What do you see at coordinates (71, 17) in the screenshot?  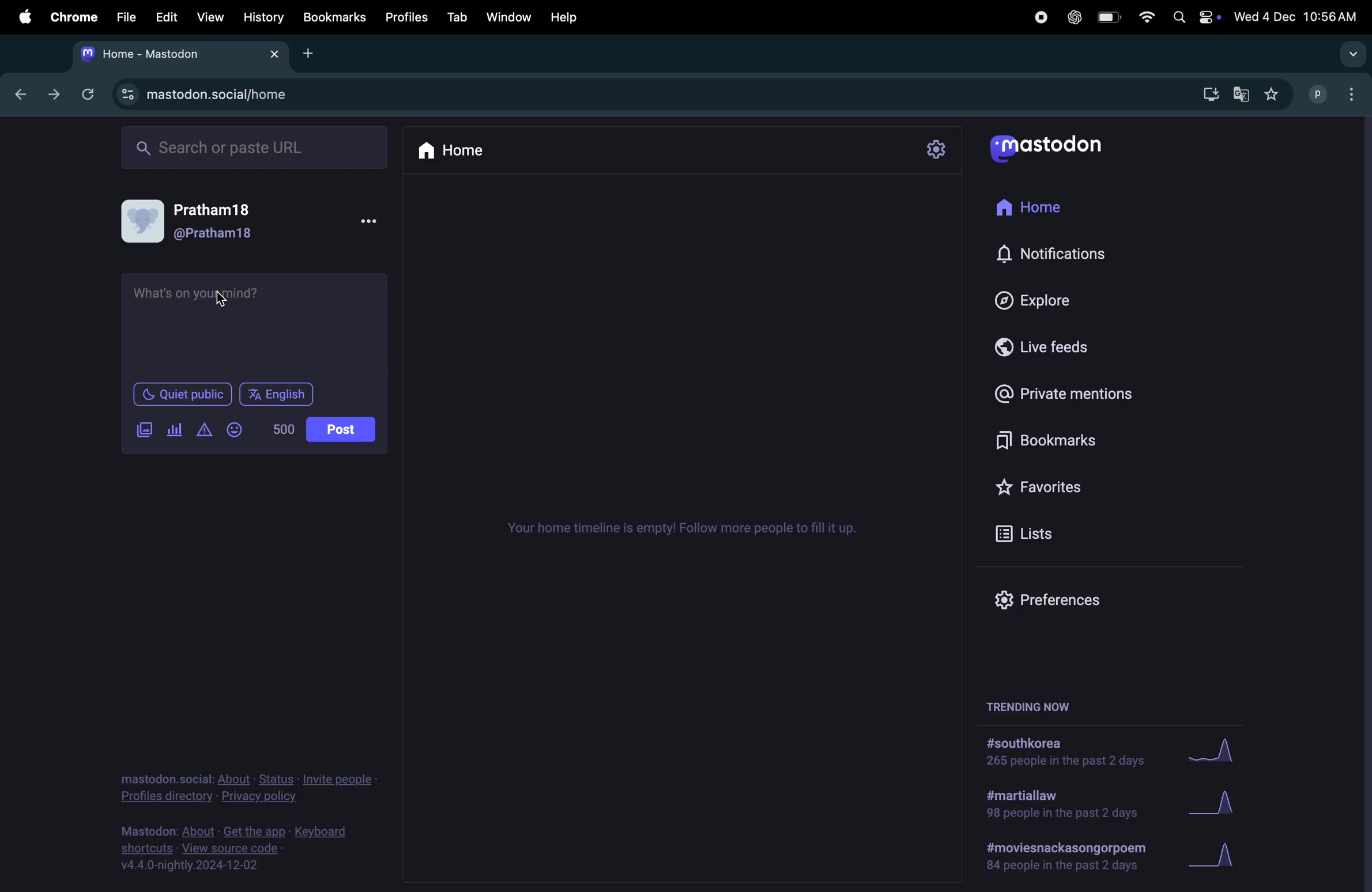 I see `chrome` at bounding box center [71, 17].